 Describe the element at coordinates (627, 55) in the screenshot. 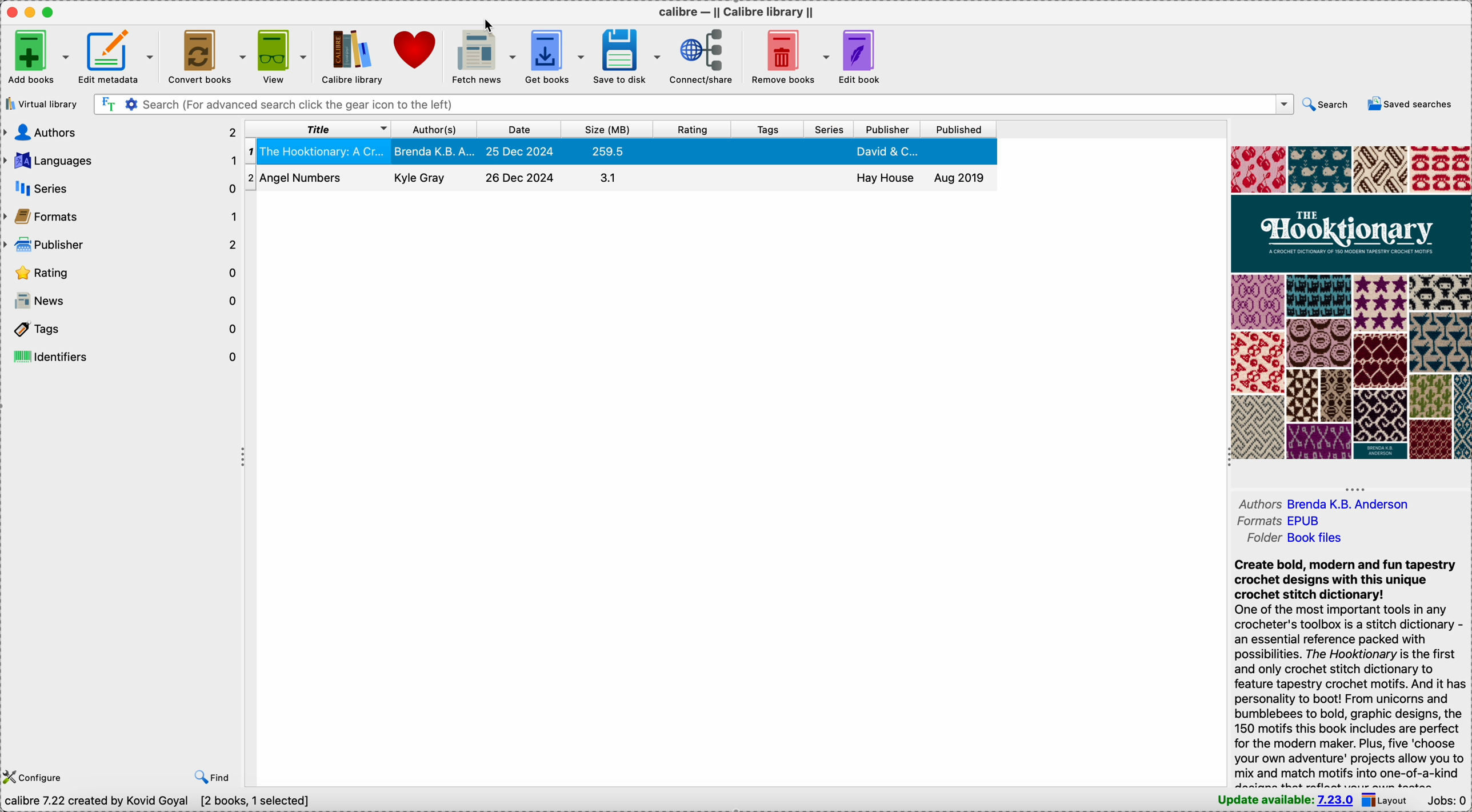

I see `save to disk` at that location.